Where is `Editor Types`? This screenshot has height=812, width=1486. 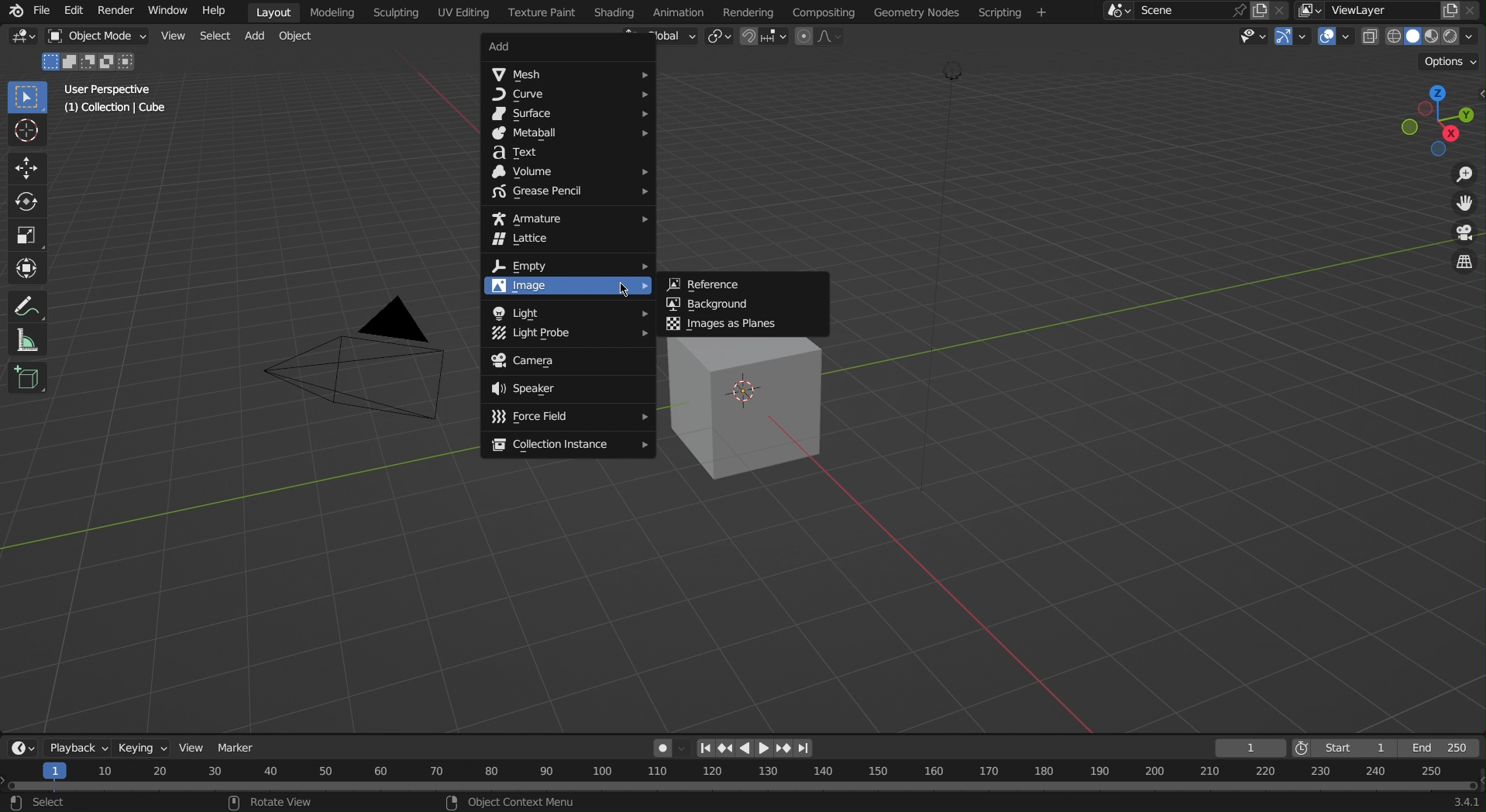
Editor Types is located at coordinates (19, 746).